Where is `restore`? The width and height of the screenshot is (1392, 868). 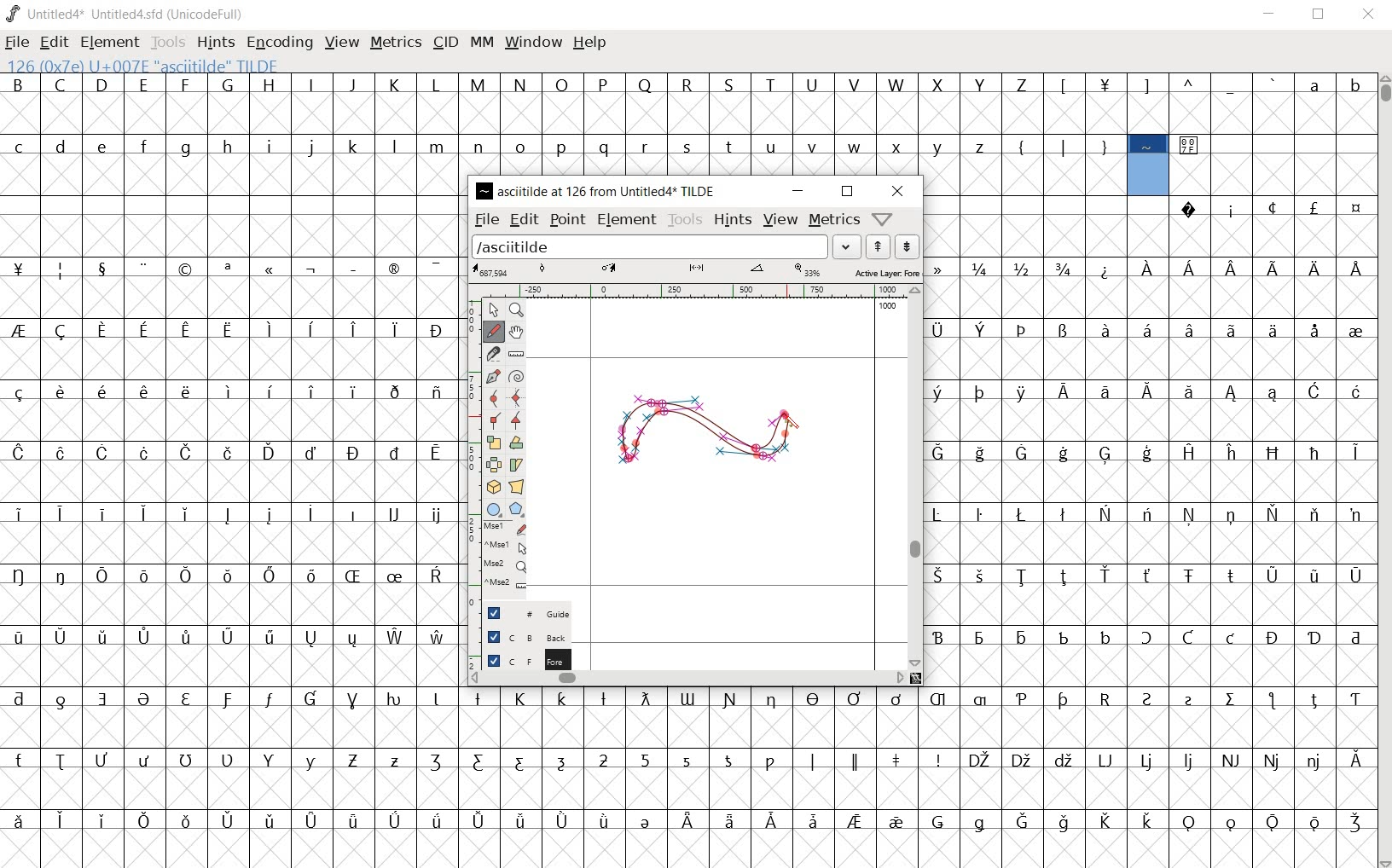
restore is located at coordinates (848, 192).